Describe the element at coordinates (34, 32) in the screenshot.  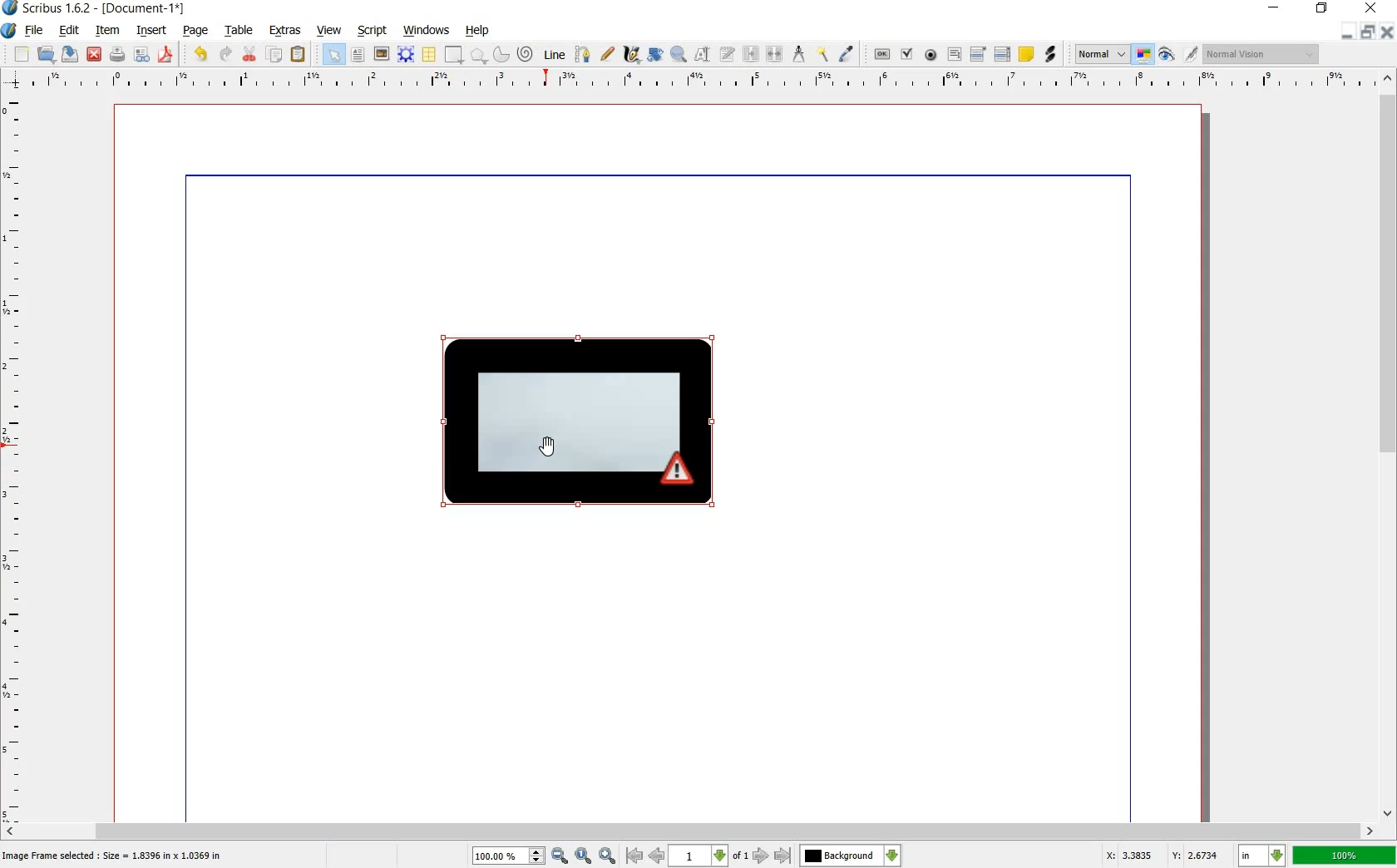
I see `file` at that location.